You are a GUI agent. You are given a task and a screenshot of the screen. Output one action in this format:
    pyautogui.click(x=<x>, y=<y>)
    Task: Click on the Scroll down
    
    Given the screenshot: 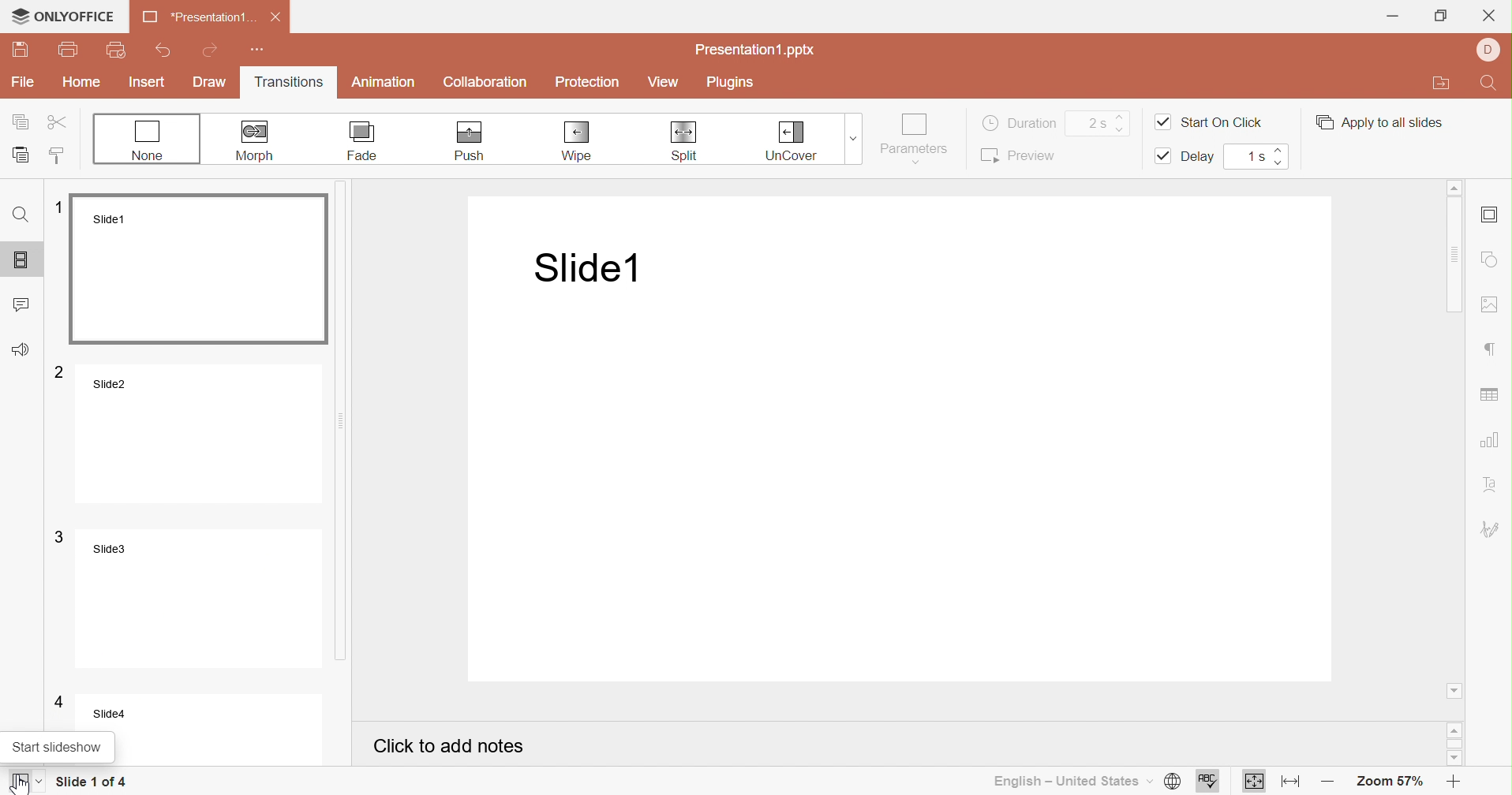 What is the action you would take?
    pyautogui.click(x=1458, y=761)
    